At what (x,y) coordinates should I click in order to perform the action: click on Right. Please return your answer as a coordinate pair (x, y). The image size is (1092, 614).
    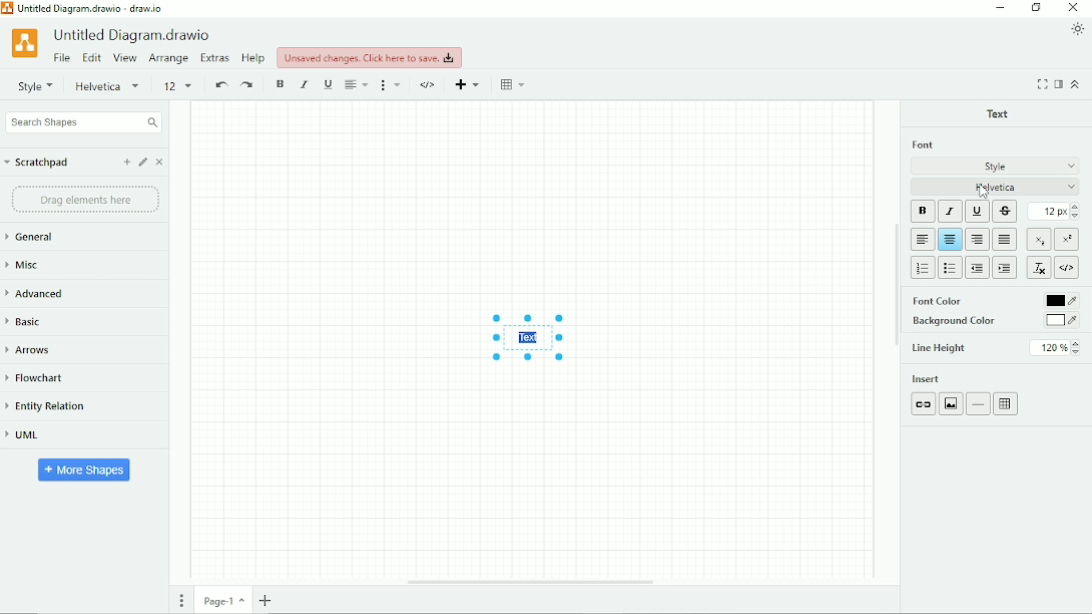
    Looking at the image, I should click on (978, 239).